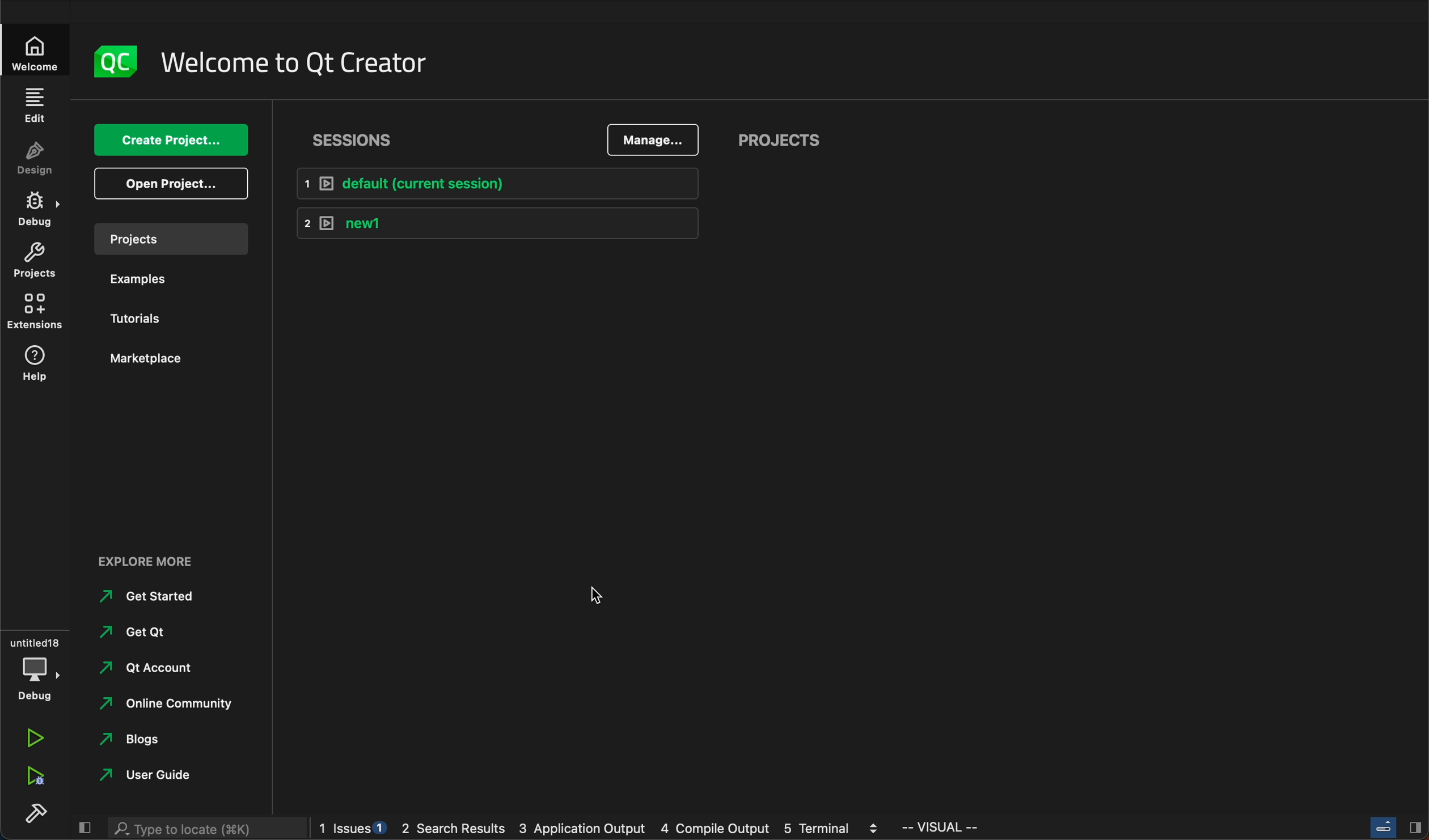 This screenshot has width=1429, height=840. I want to click on marketplace, so click(146, 359).